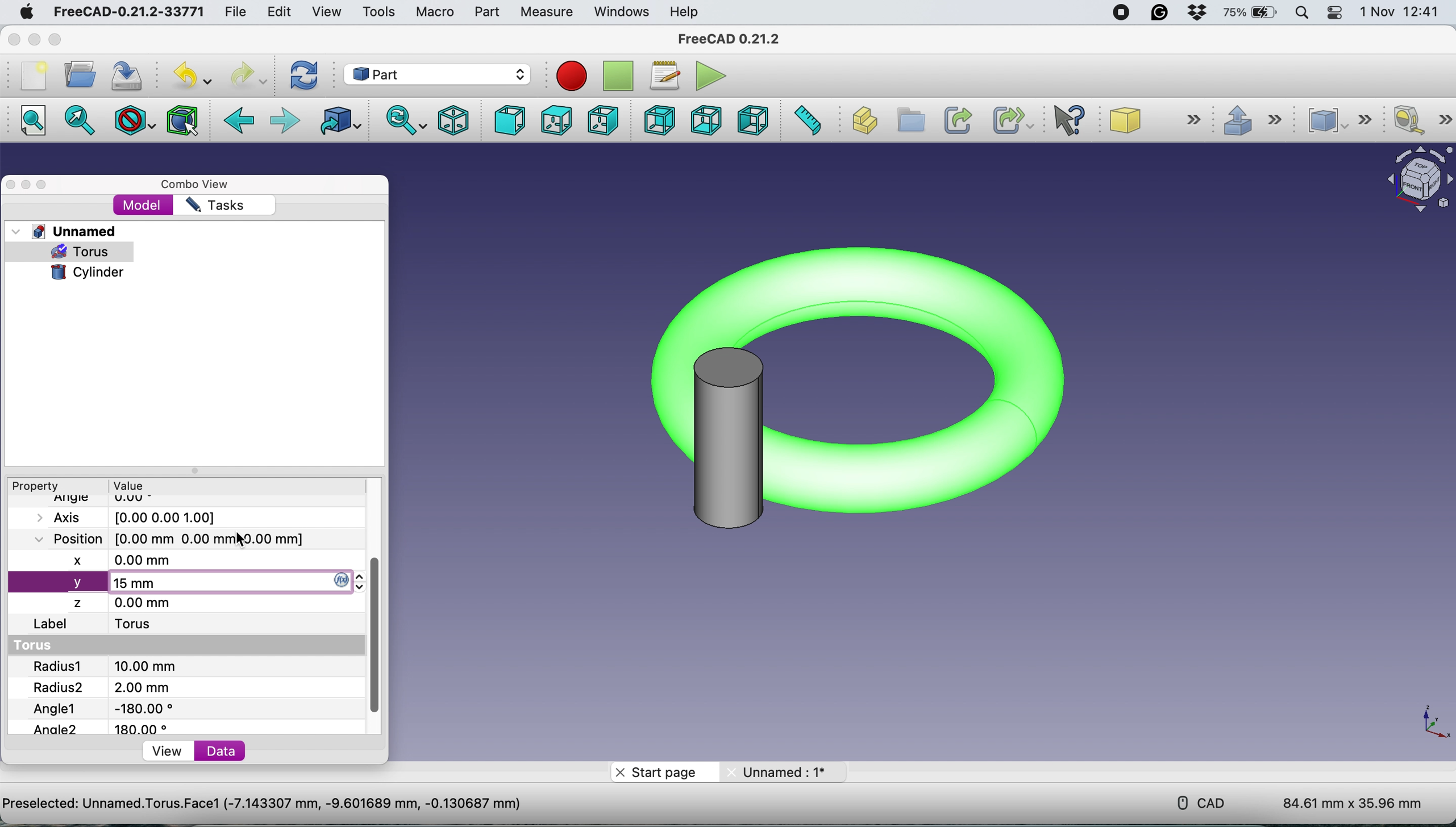 The height and width of the screenshot is (827, 1456). I want to click on help, so click(682, 12).